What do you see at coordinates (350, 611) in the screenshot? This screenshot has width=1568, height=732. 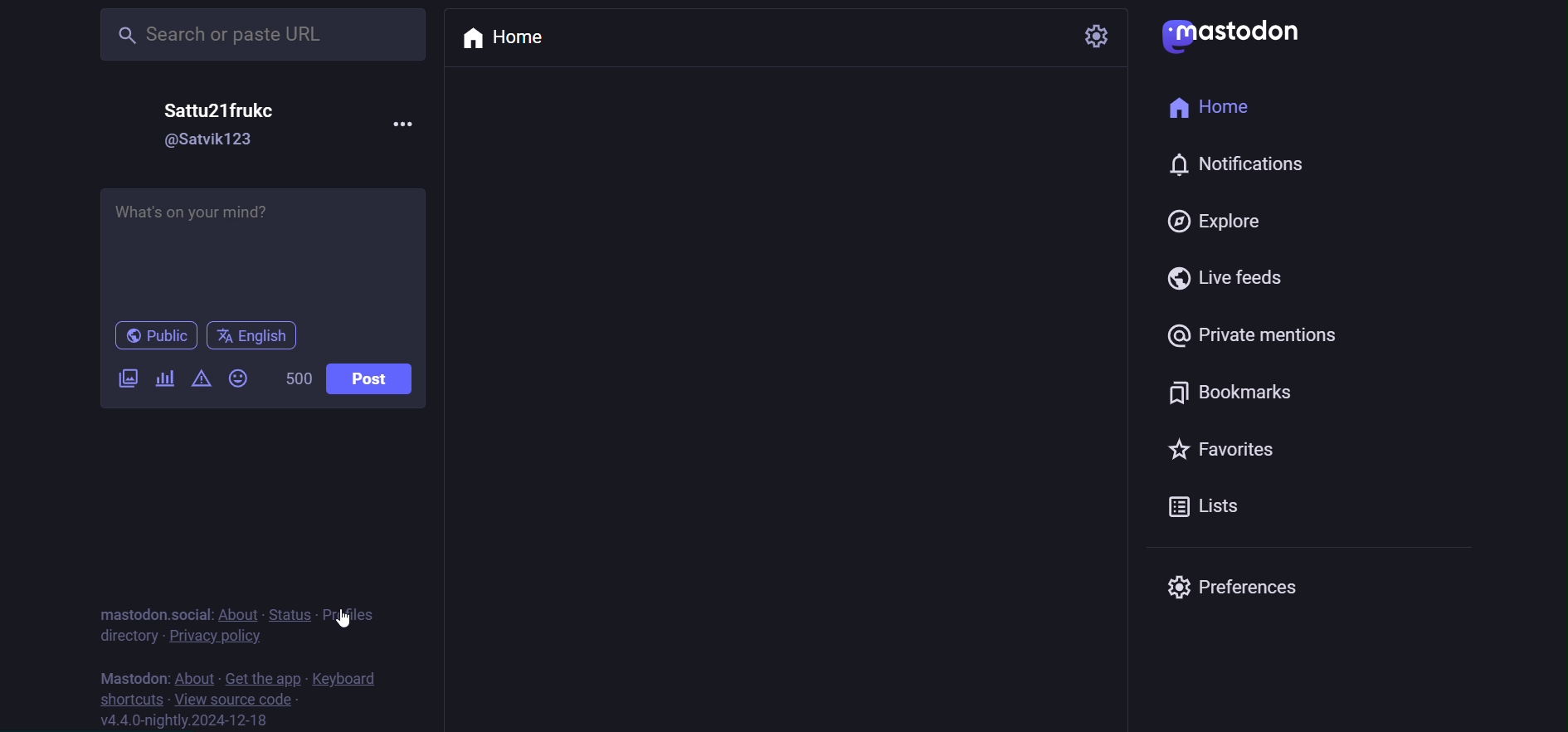 I see `profile` at bounding box center [350, 611].